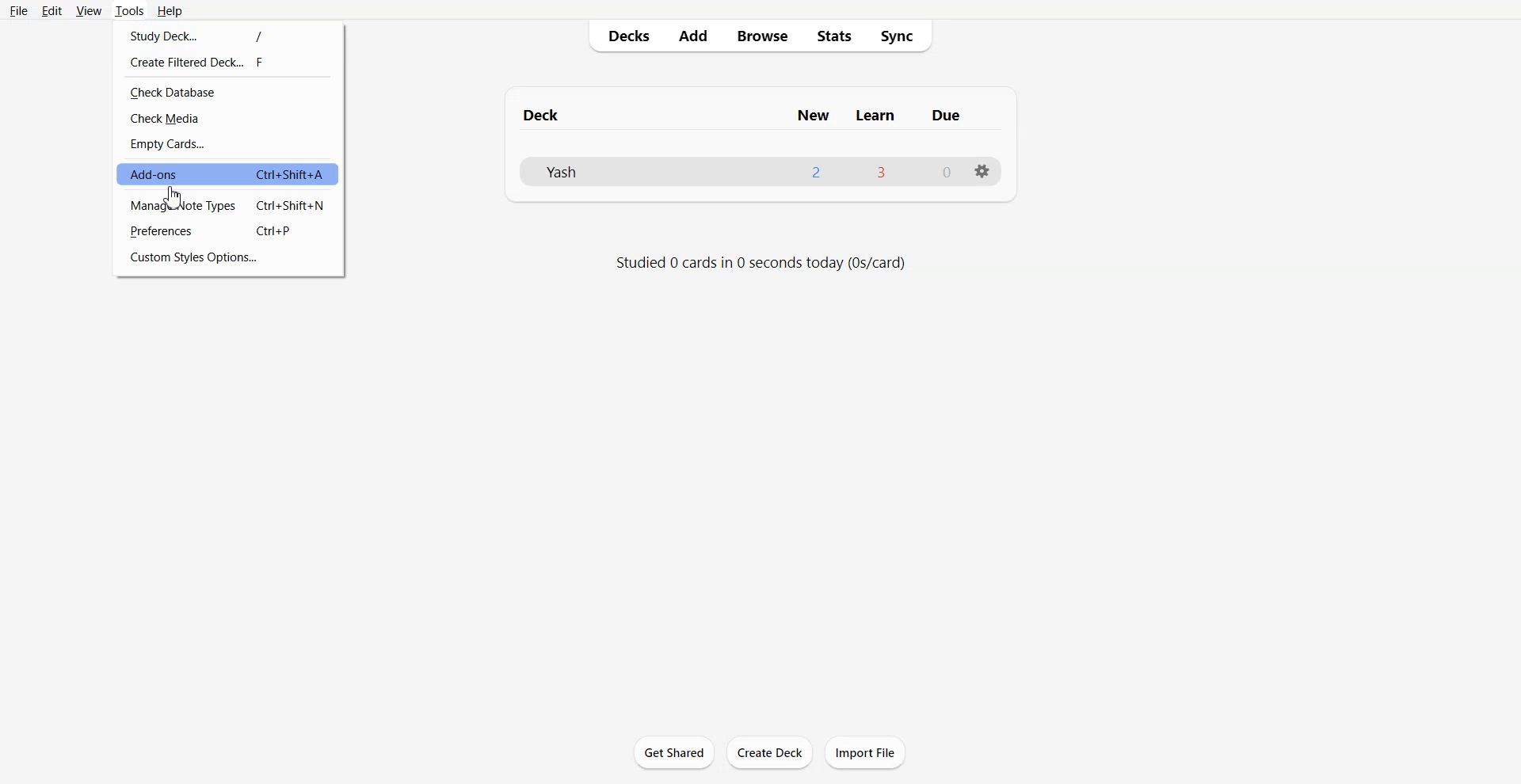 The height and width of the screenshot is (784, 1521). What do you see at coordinates (227, 173) in the screenshot?
I see `Add-ons` at bounding box center [227, 173].